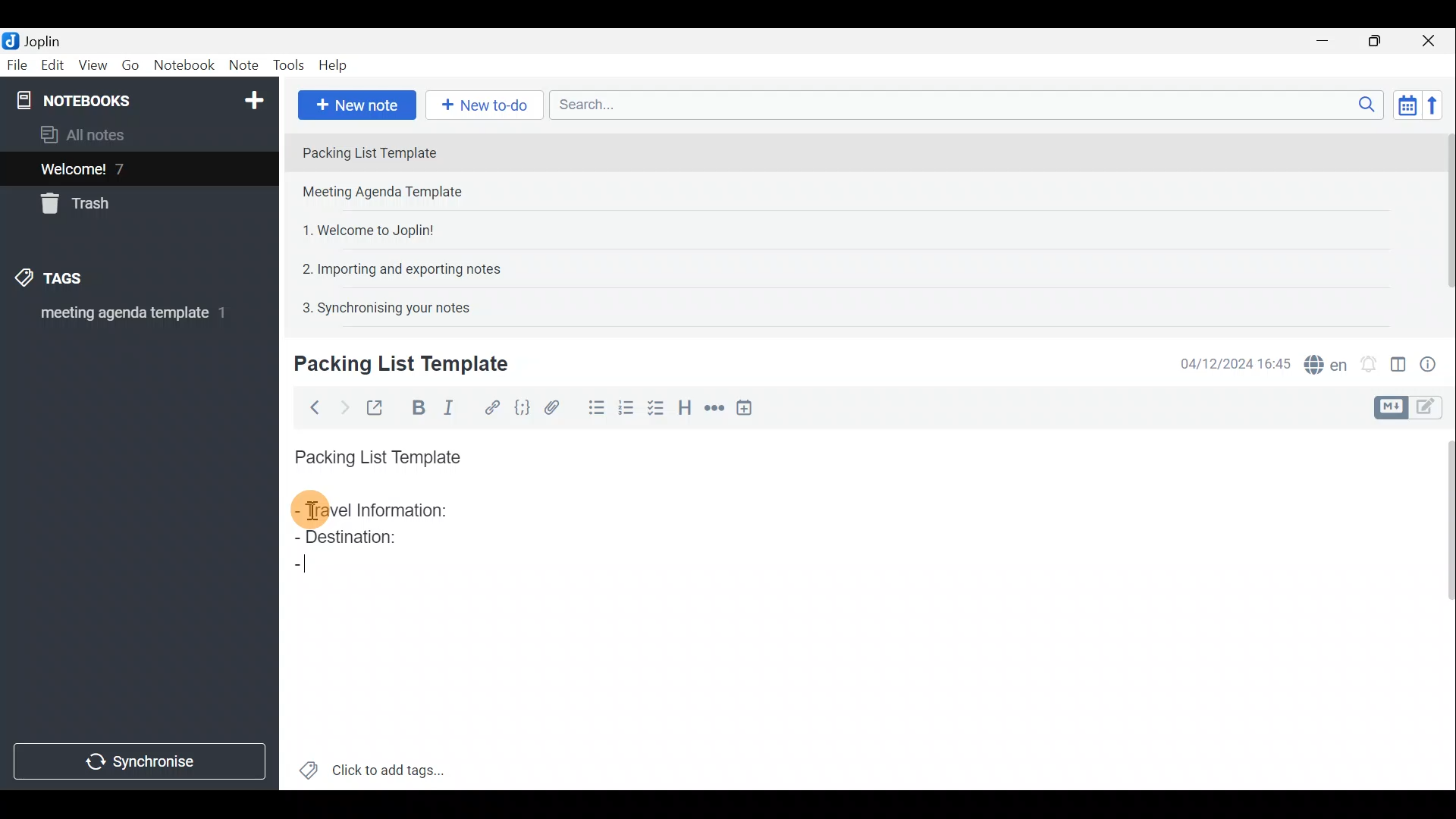  Describe the element at coordinates (137, 99) in the screenshot. I see `Notebook` at that location.